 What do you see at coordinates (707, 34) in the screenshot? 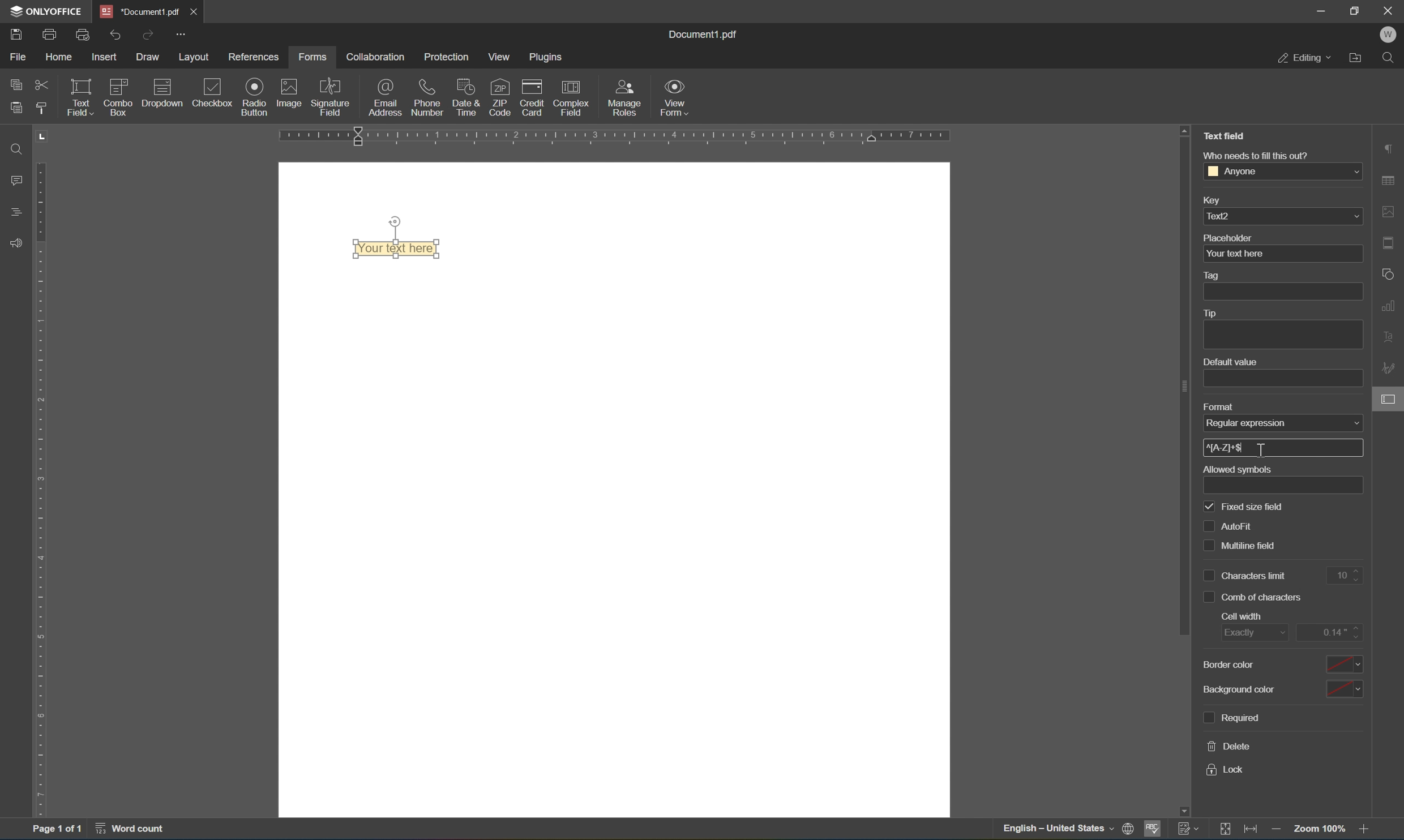
I see `document1.pdf` at bounding box center [707, 34].